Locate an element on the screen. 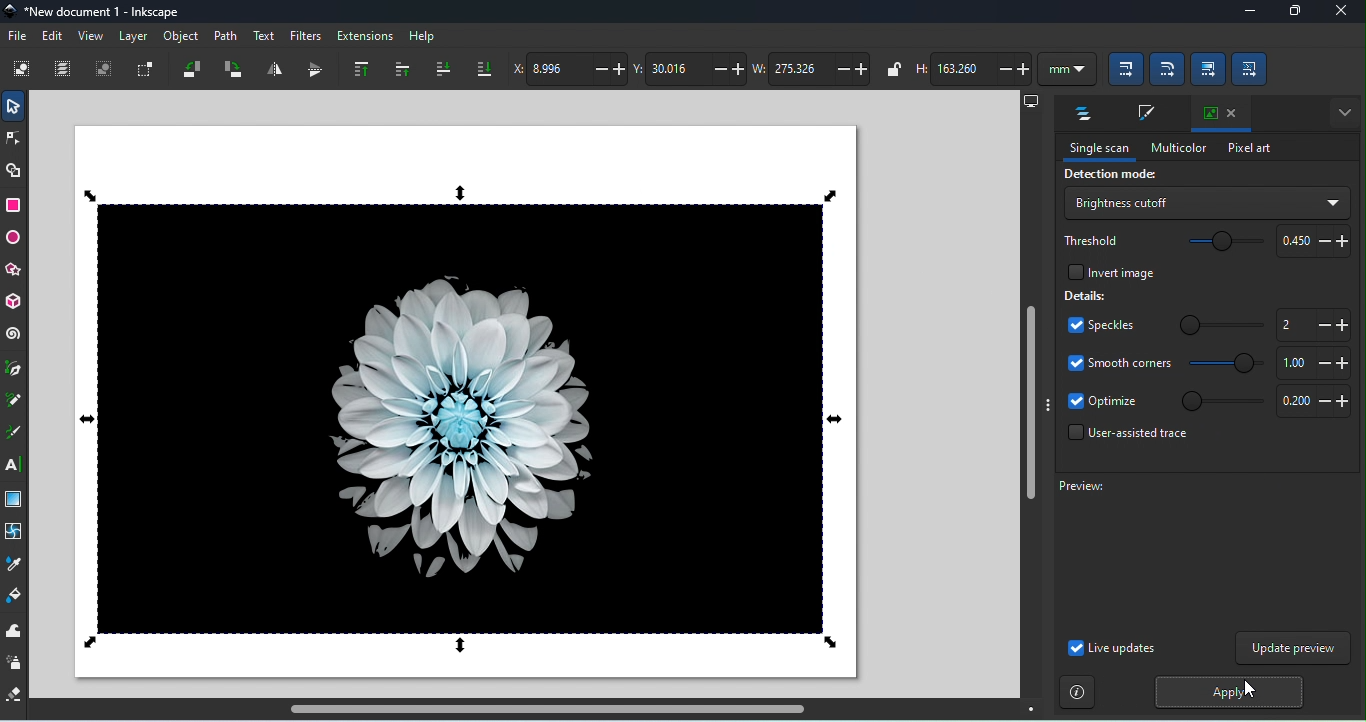 The height and width of the screenshot is (722, 1366). Layers and objects is located at coordinates (1080, 114).